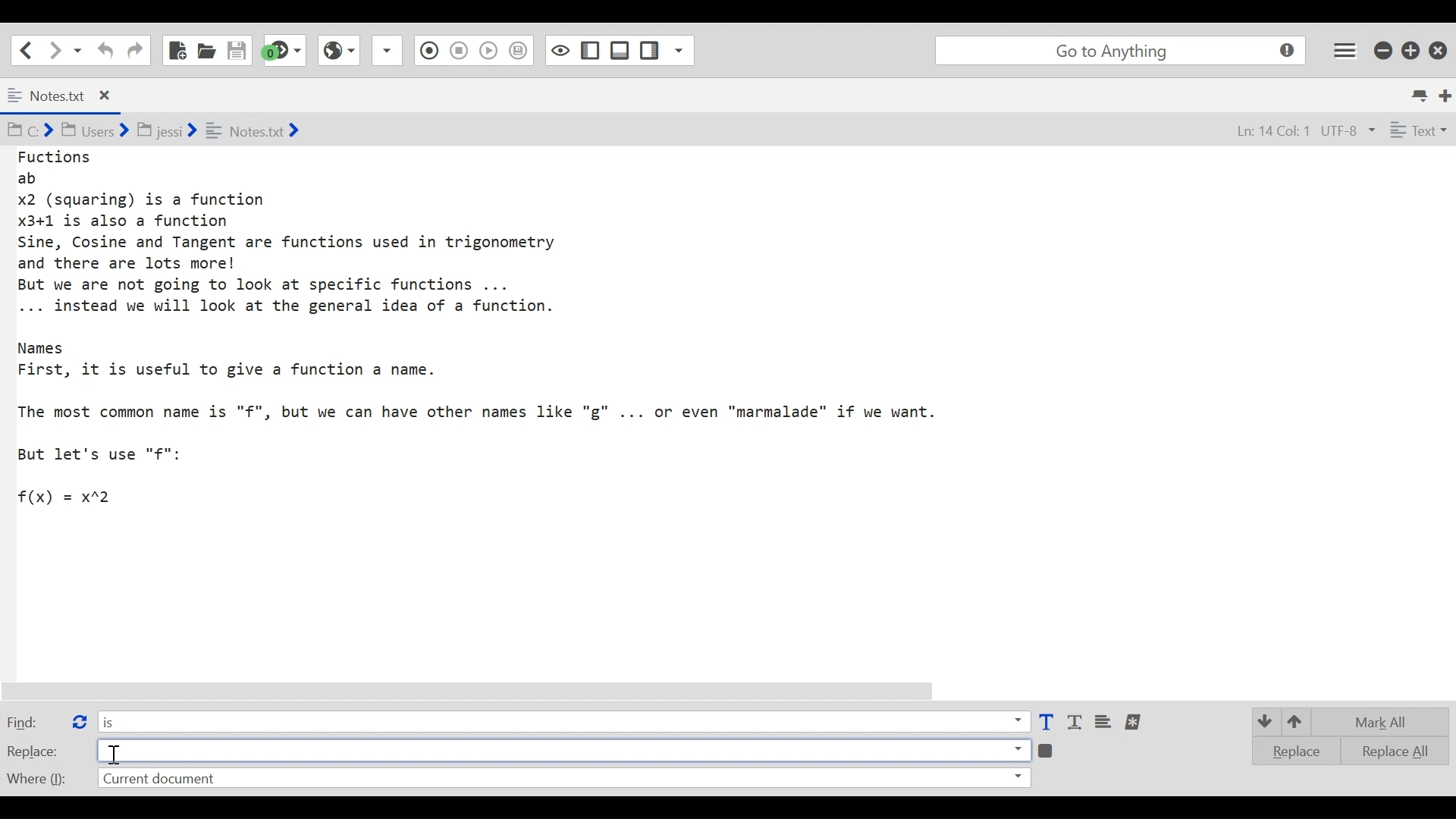  Describe the element at coordinates (1105, 723) in the screenshot. I see `Use Multiple Lines` at that location.